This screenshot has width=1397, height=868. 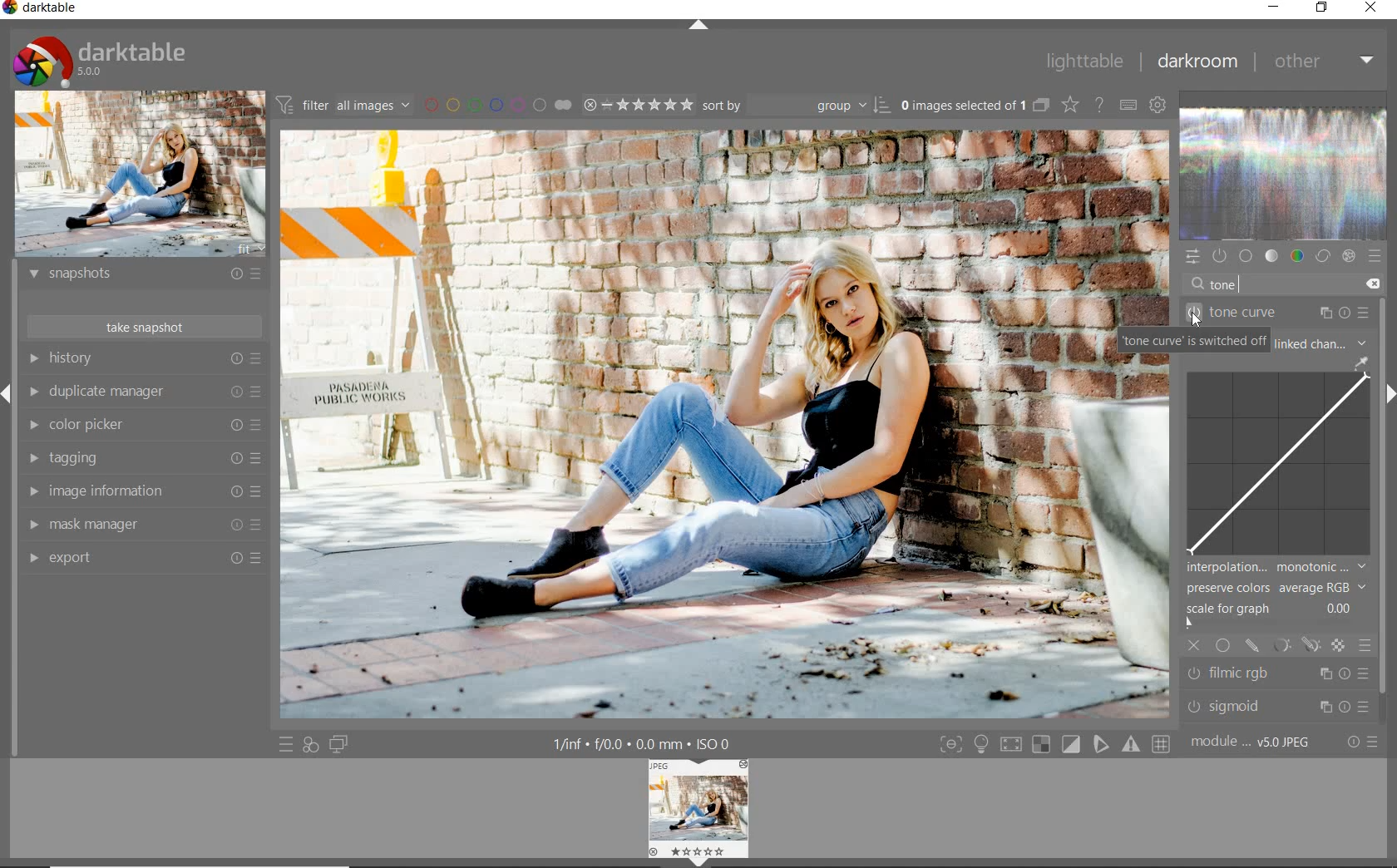 What do you see at coordinates (1069, 104) in the screenshot?
I see `change overlays shown on thumbnails` at bounding box center [1069, 104].